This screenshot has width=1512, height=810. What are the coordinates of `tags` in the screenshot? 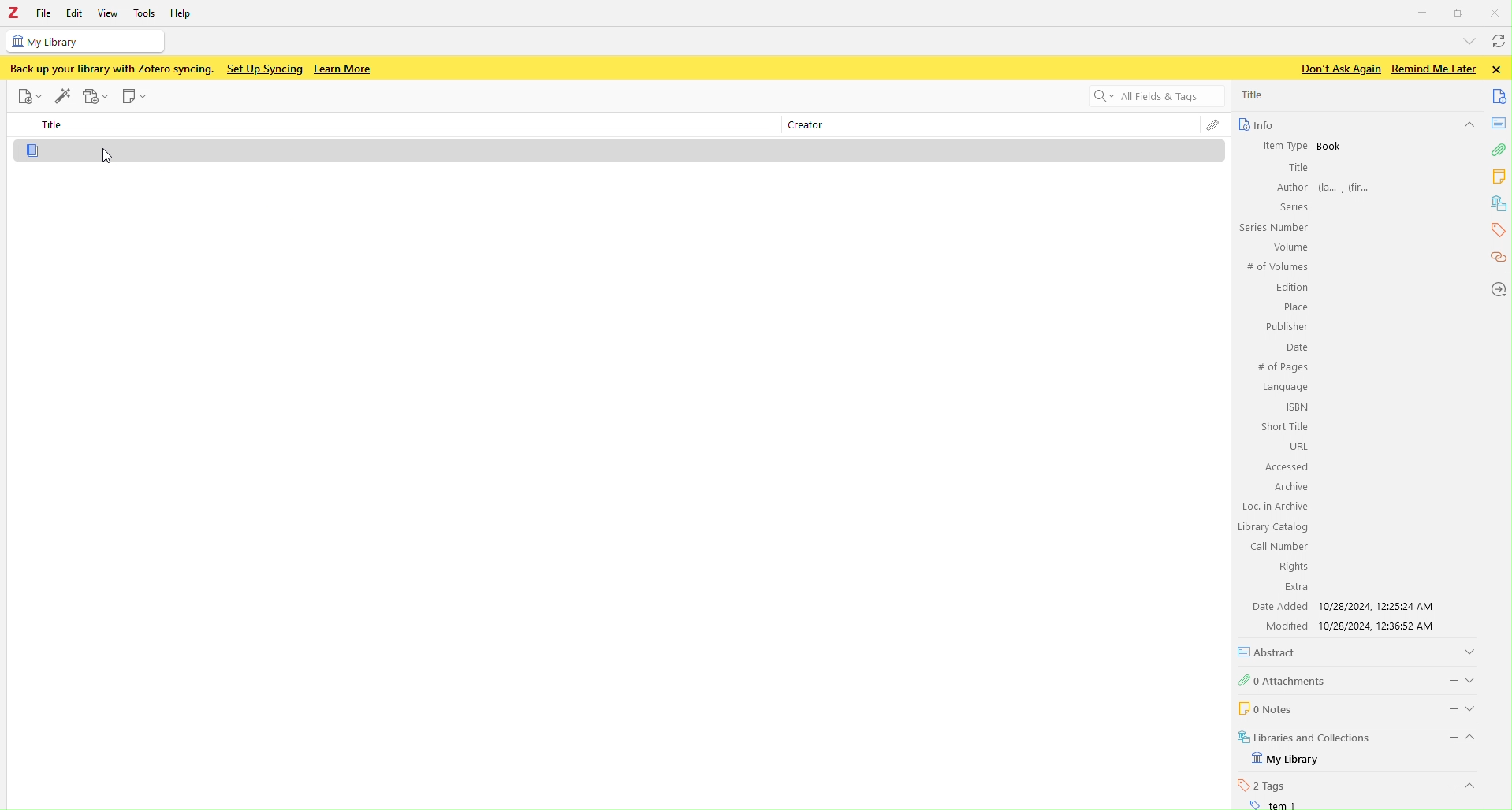 It's located at (1496, 230).